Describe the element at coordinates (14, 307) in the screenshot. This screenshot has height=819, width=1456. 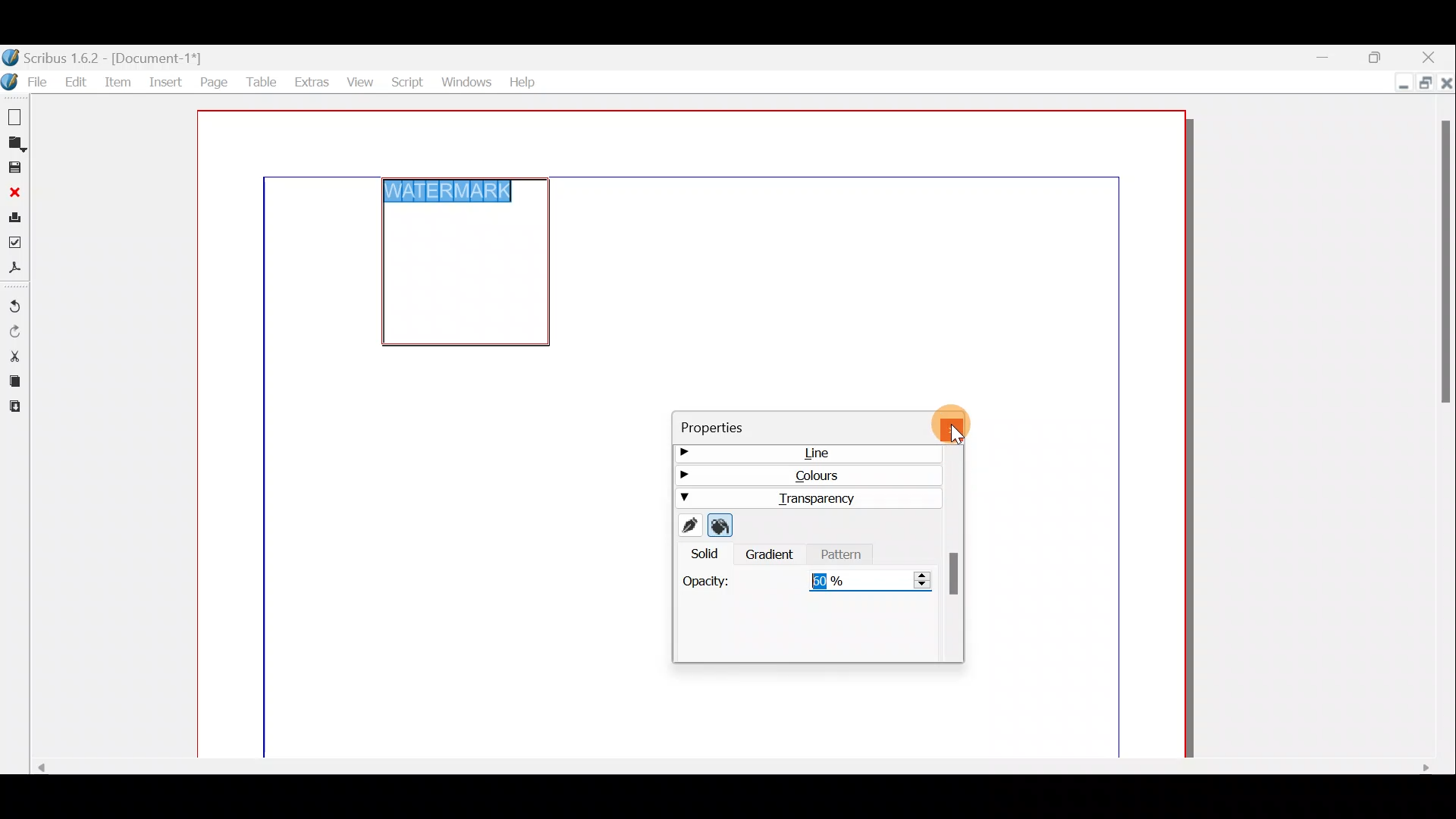
I see `Undo` at that location.